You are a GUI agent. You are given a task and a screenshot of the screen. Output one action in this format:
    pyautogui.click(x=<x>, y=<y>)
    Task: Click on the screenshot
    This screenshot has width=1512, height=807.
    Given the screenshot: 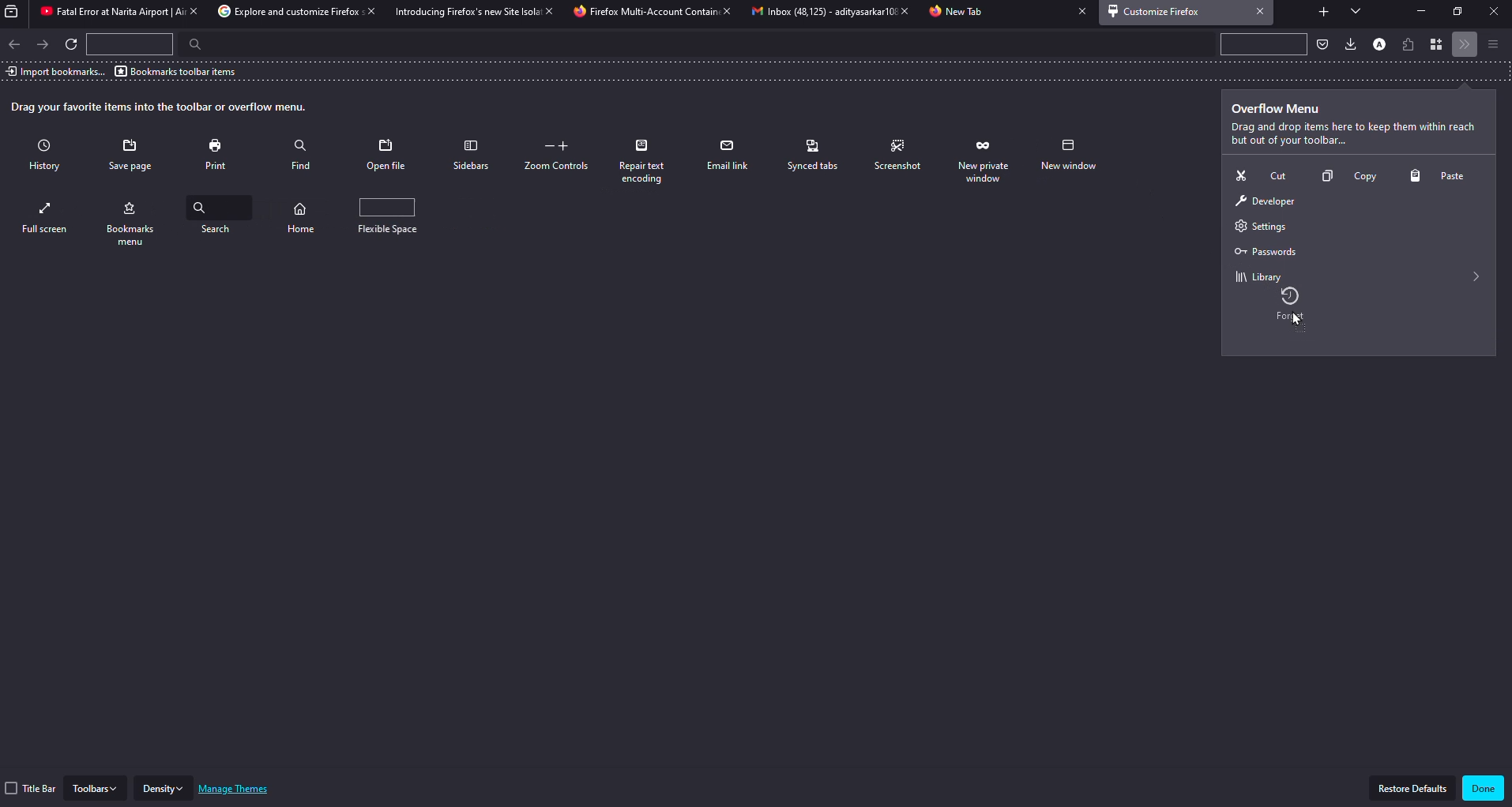 What is the action you would take?
    pyautogui.click(x=900, y=156)
    